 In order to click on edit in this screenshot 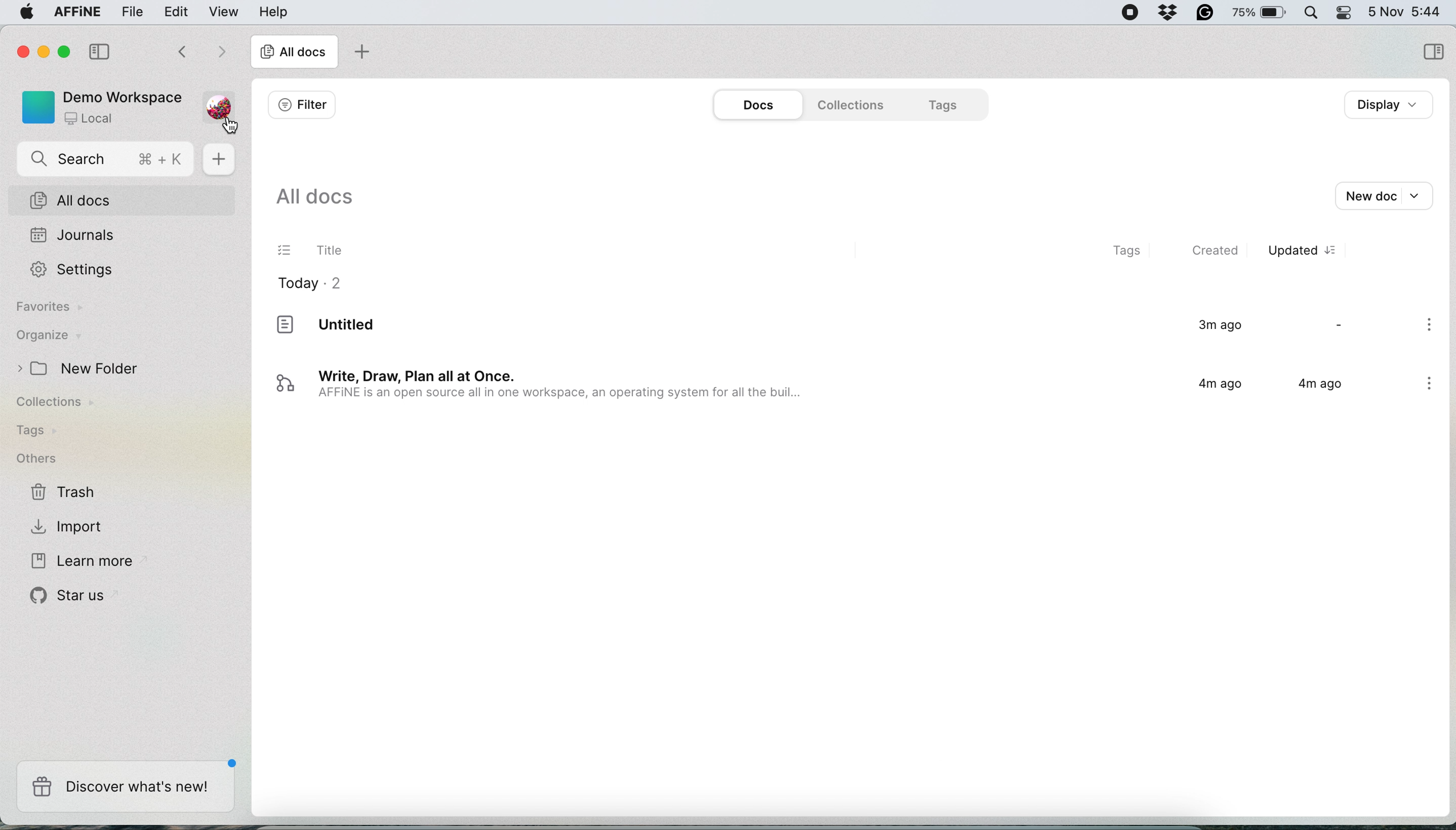, I will do `click(177, 11)`.